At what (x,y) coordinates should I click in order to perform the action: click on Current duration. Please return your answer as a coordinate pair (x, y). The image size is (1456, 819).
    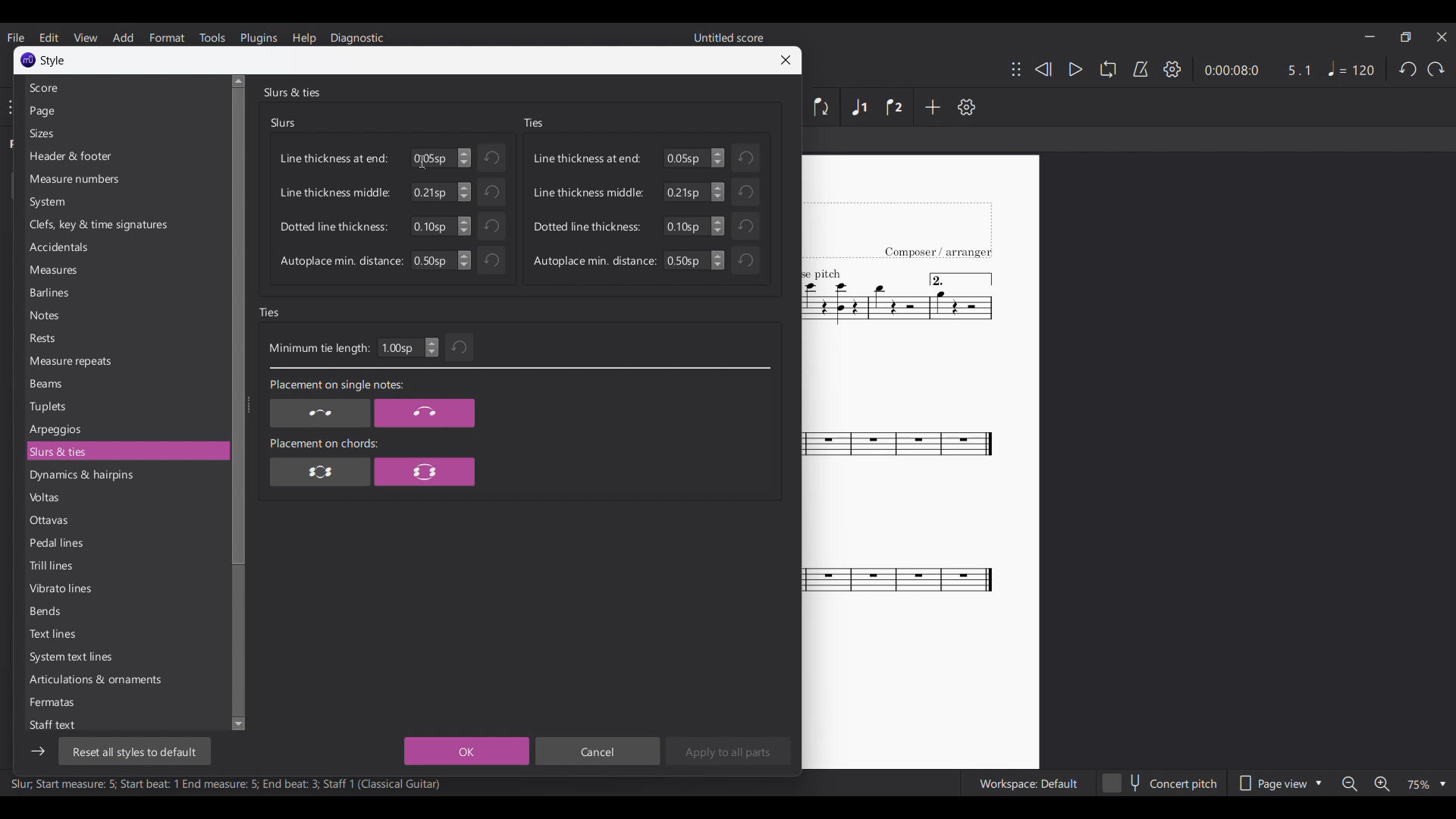
    Looking at the image, I should click on (1229, 70).